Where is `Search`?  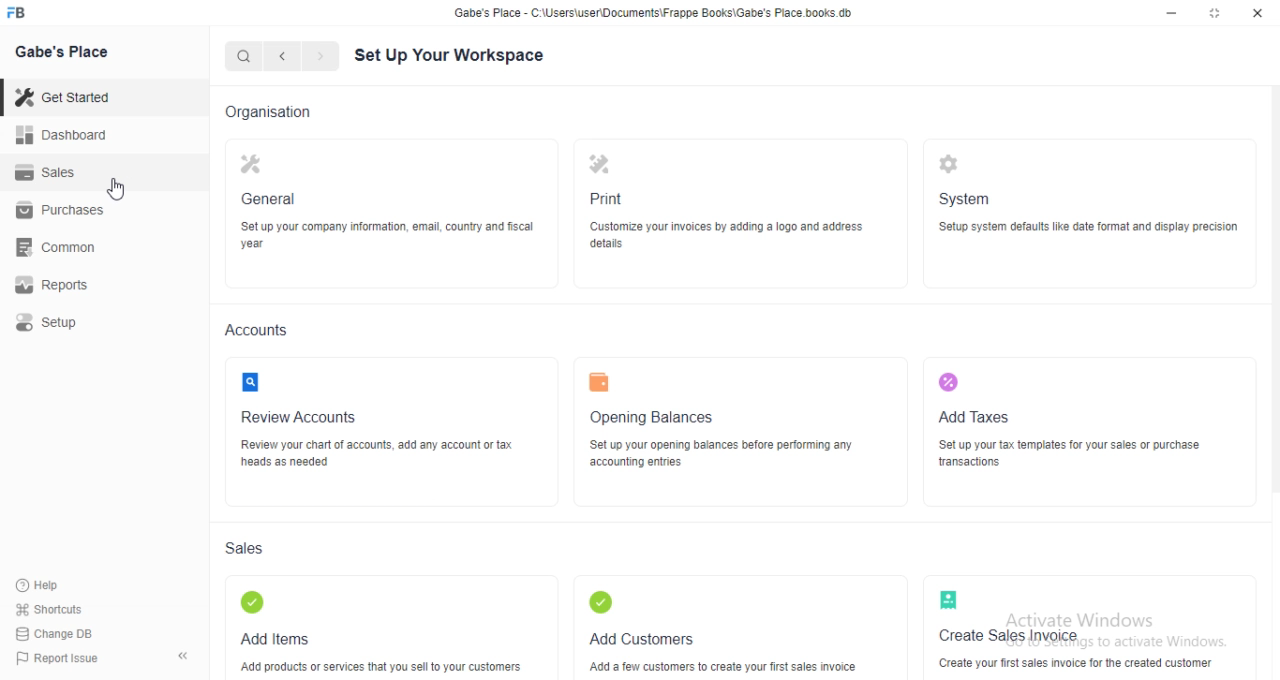
Search is located at coordinates (242, 53).